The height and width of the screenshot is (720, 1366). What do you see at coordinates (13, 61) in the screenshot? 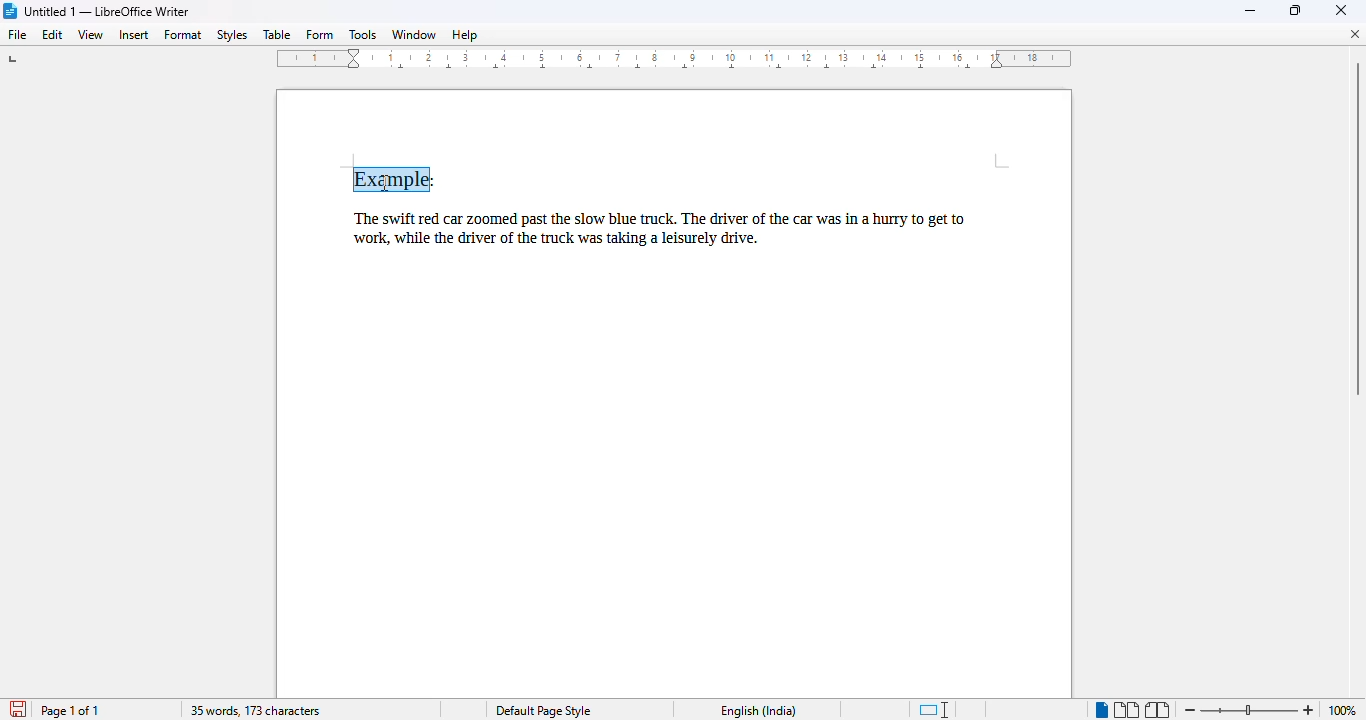
I see `tab stop` at bounding box center [13, 61].